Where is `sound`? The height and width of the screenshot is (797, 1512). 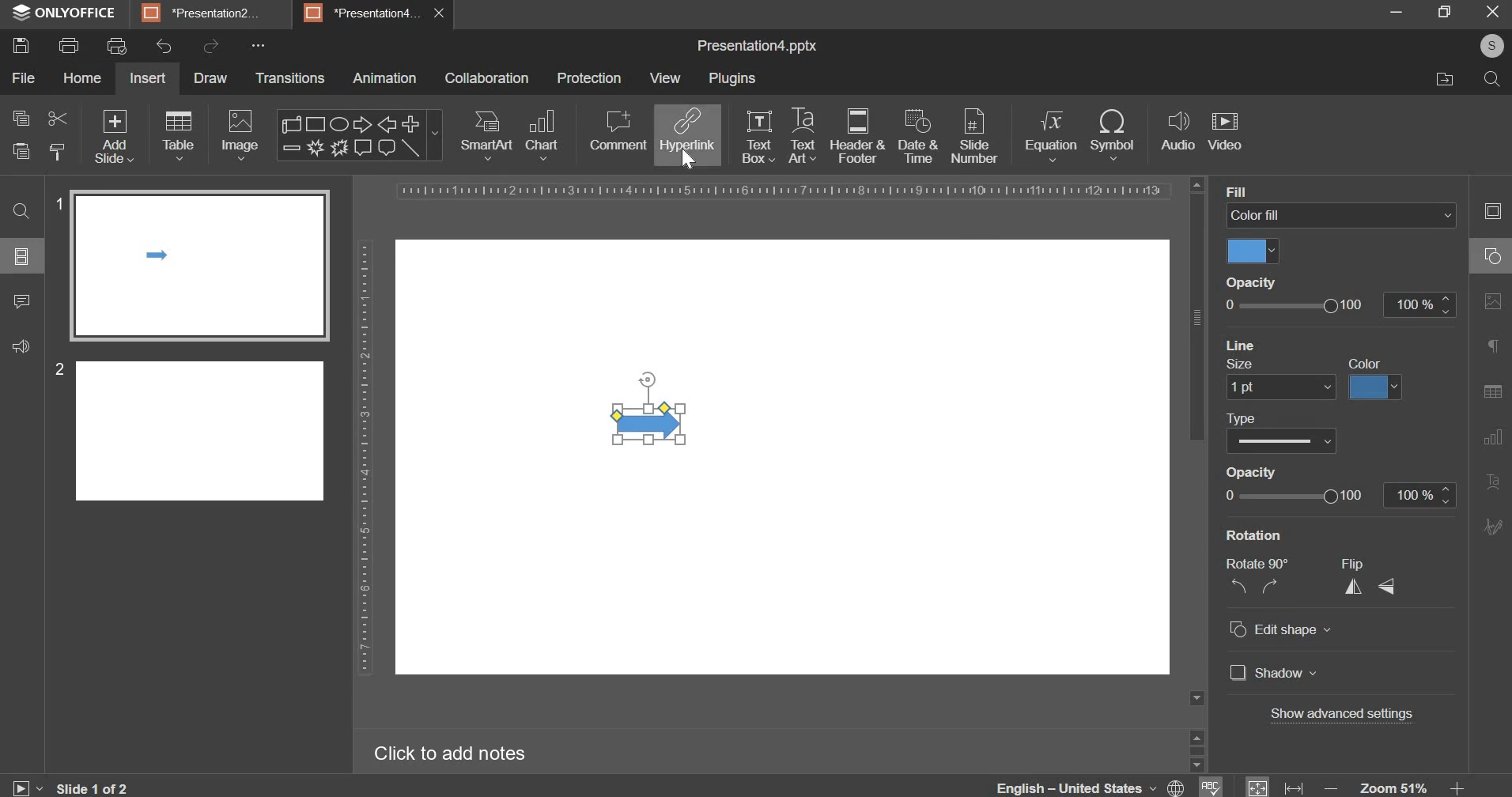 sound is located at coordinates (21, 349).